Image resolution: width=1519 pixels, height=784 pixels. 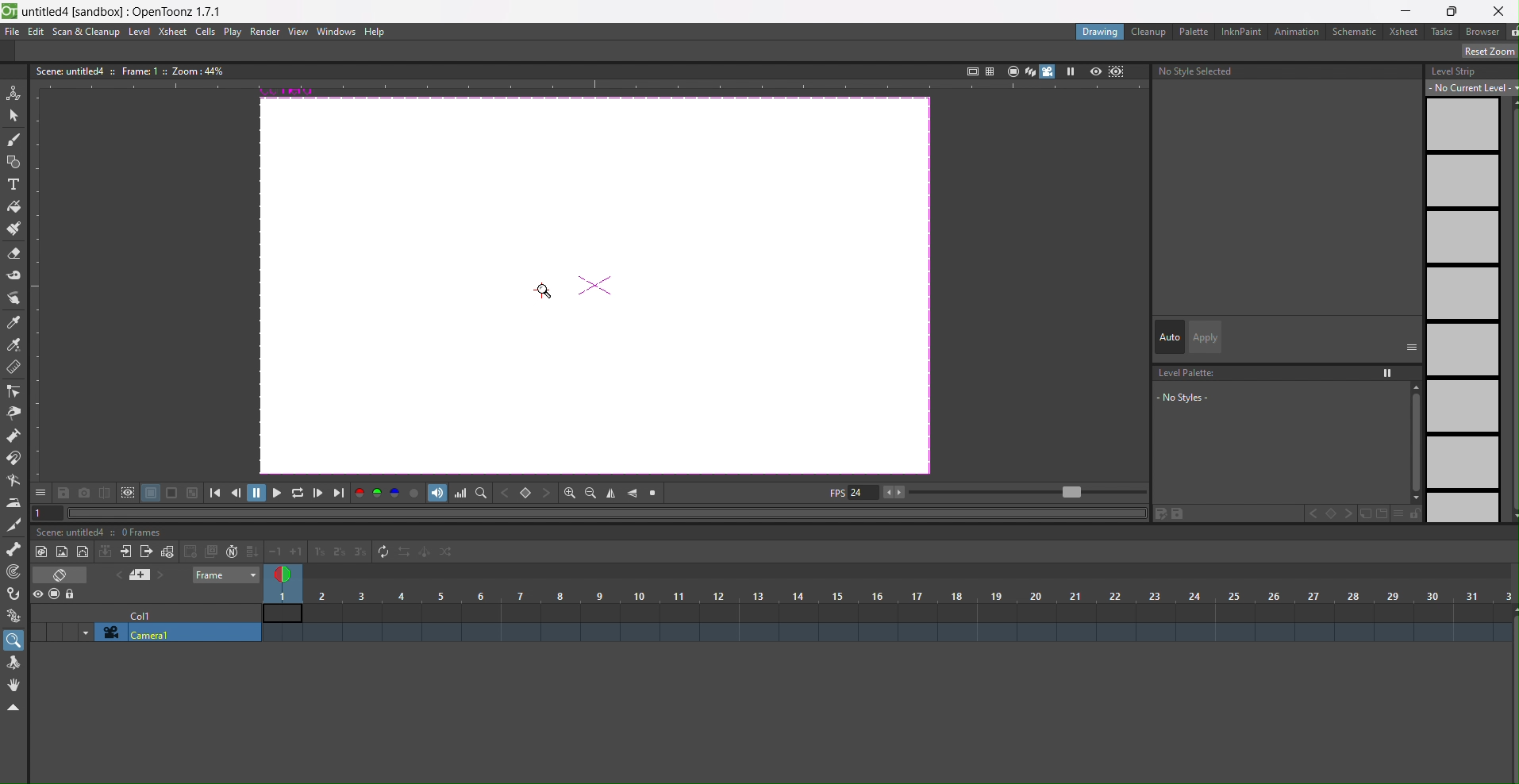 What do you see at coordinates (17, 480) in the screenshot?
I see `bender tool` at bounding box center [17, 480].